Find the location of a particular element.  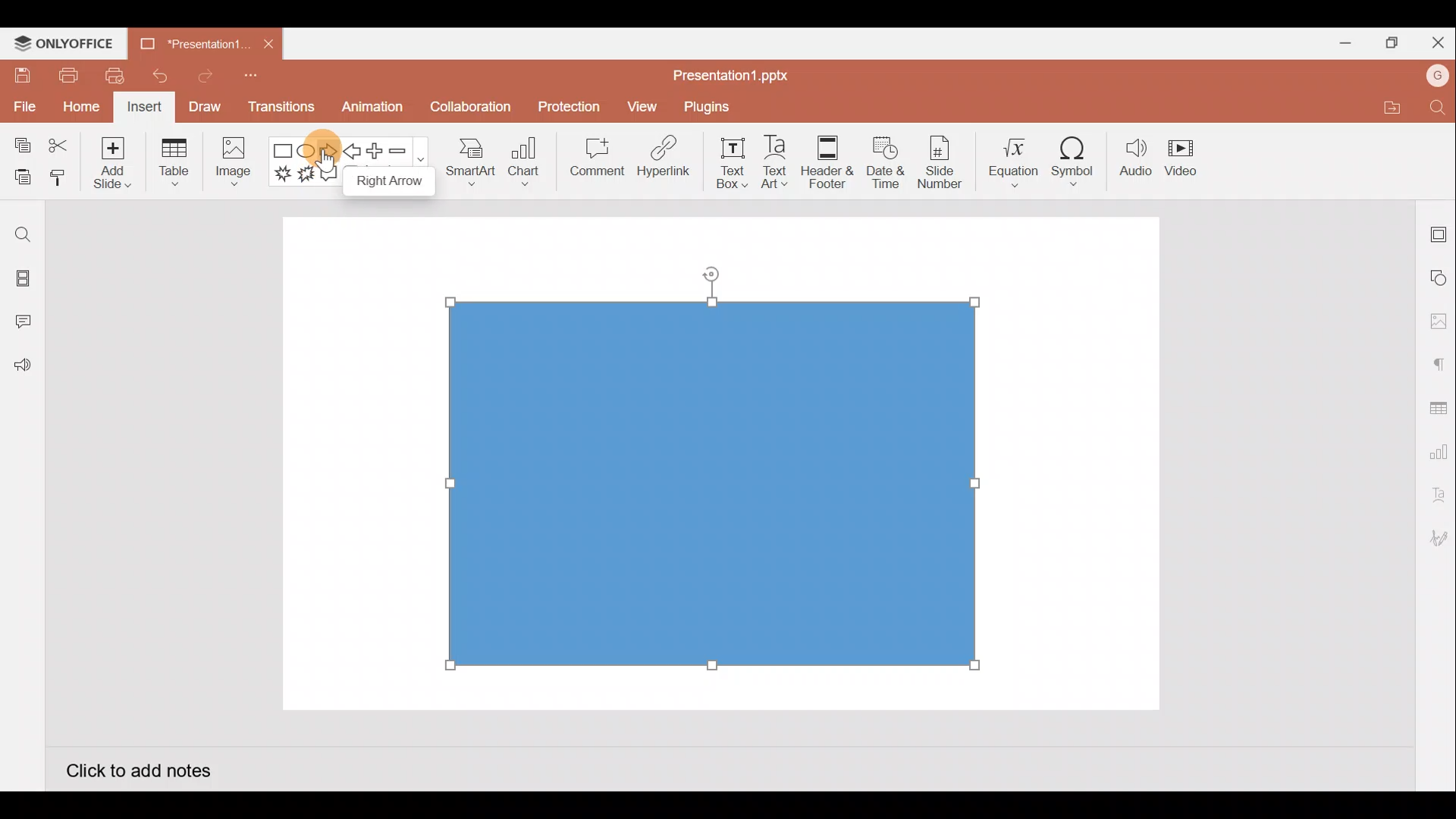

Image is located at coordinates (231, 165).